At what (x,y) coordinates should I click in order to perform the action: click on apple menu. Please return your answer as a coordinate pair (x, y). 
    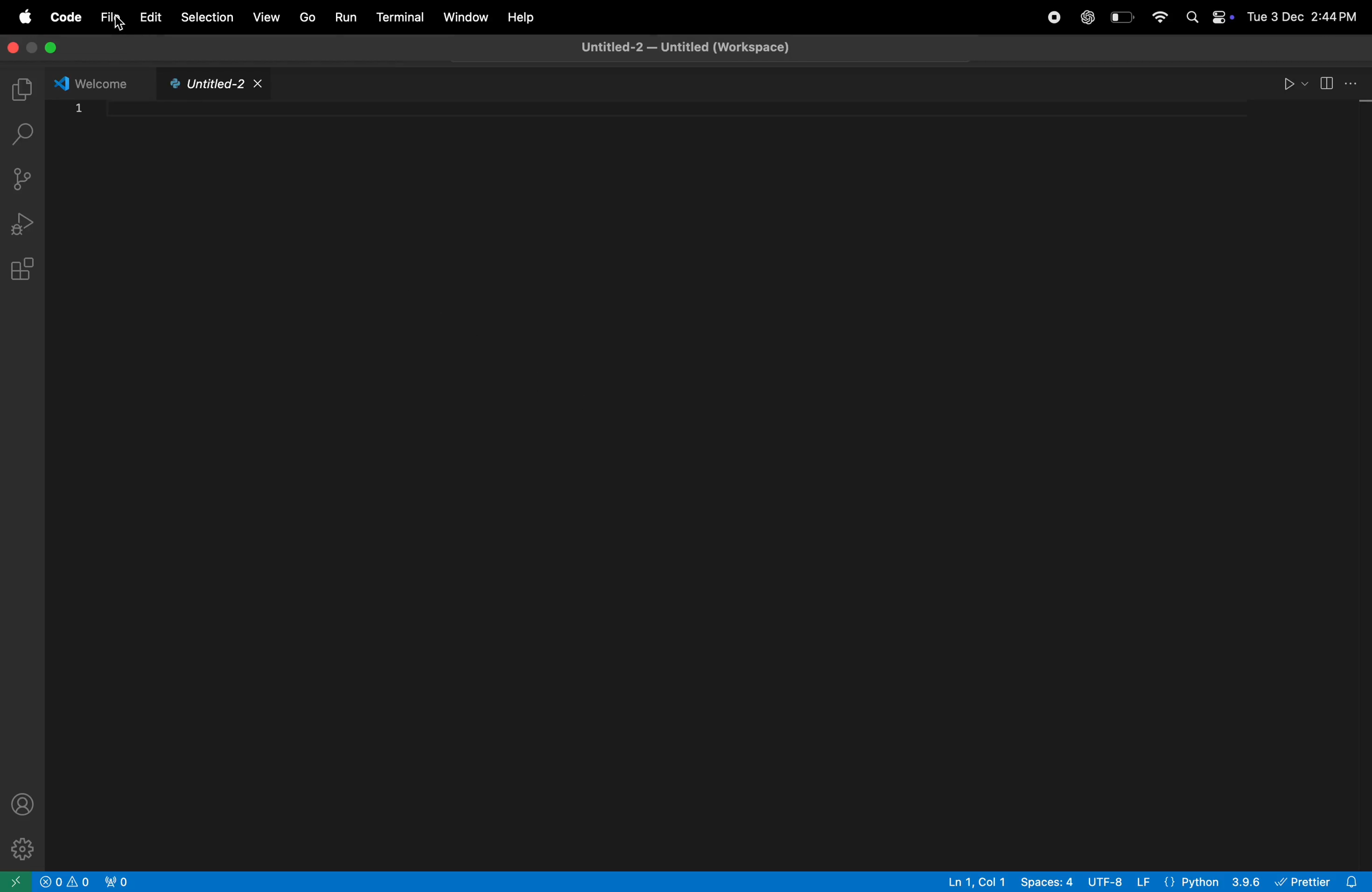
    Looking at the image, I should click on (26, 14).